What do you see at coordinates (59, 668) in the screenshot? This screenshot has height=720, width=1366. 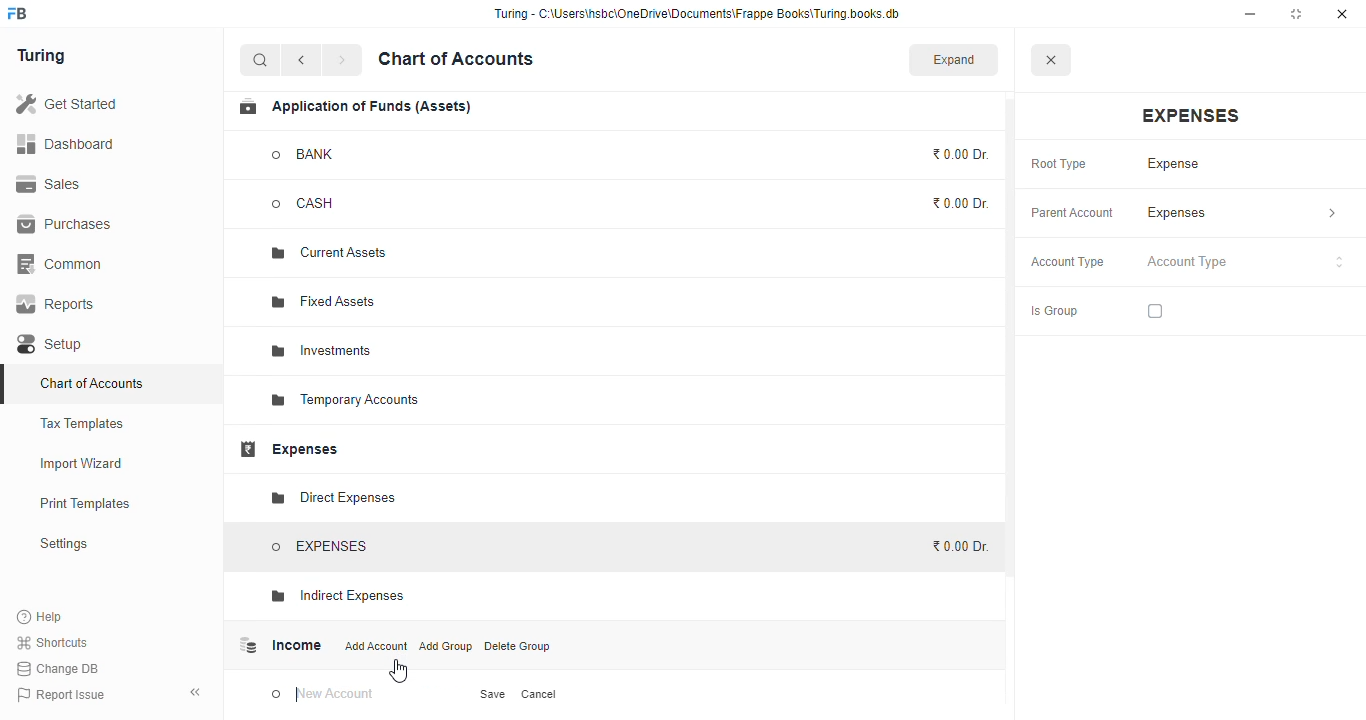 I see `change DB` at bounding box center [59, 668].